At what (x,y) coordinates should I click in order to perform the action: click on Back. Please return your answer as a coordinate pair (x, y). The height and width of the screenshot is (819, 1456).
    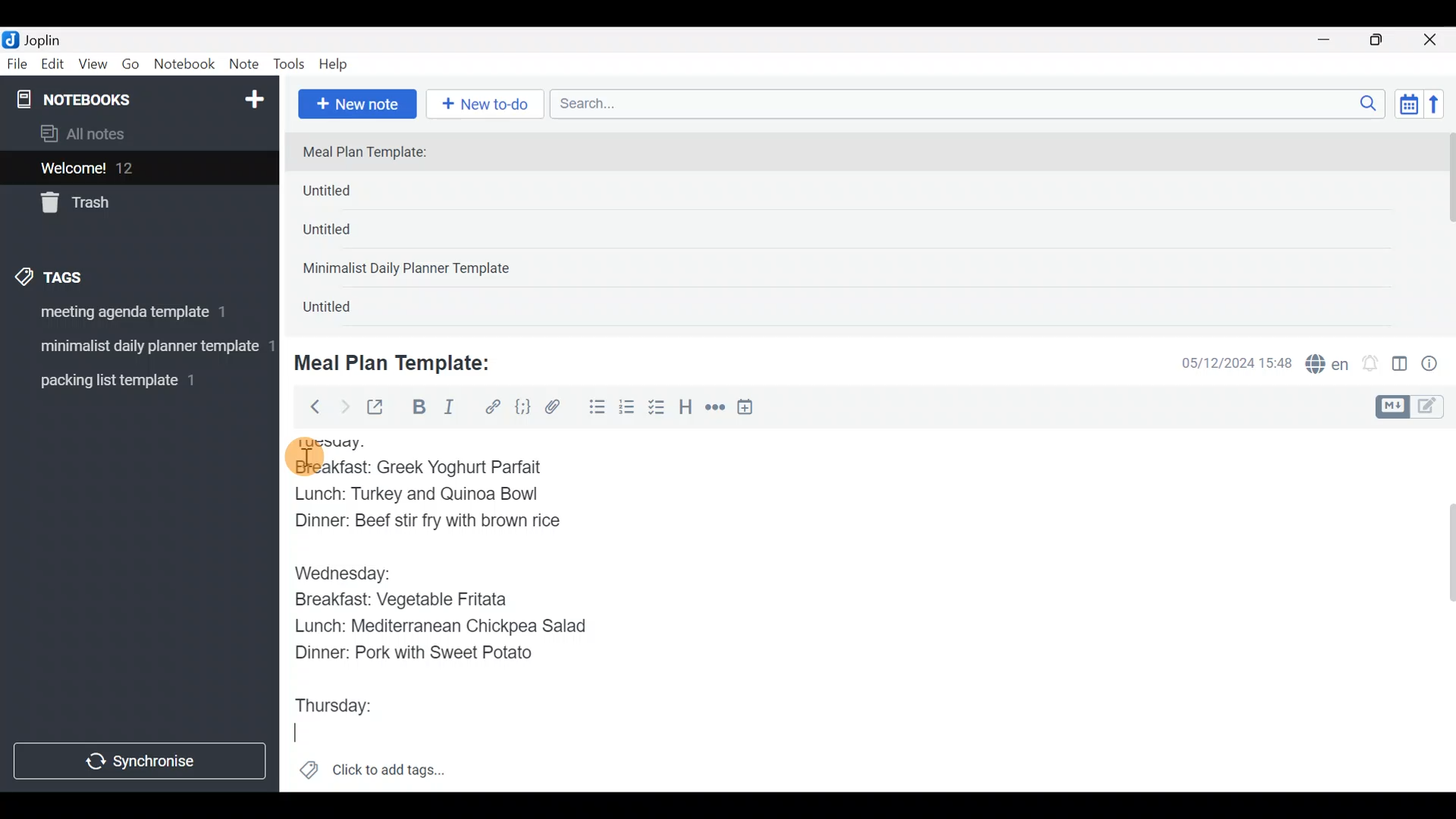
    Looking at the image, I should click on (309, 406).